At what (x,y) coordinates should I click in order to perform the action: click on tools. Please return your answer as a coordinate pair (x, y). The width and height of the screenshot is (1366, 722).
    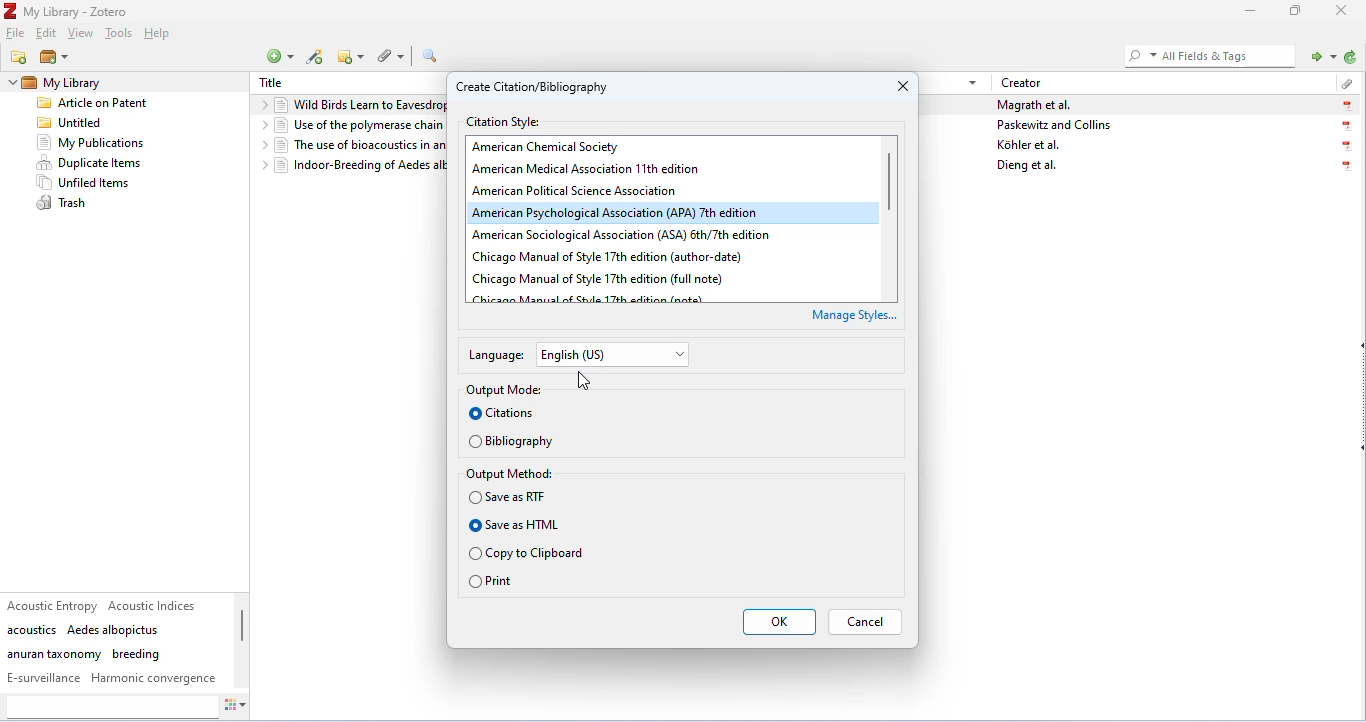
    Looking at the image, I should click on (118, 34).